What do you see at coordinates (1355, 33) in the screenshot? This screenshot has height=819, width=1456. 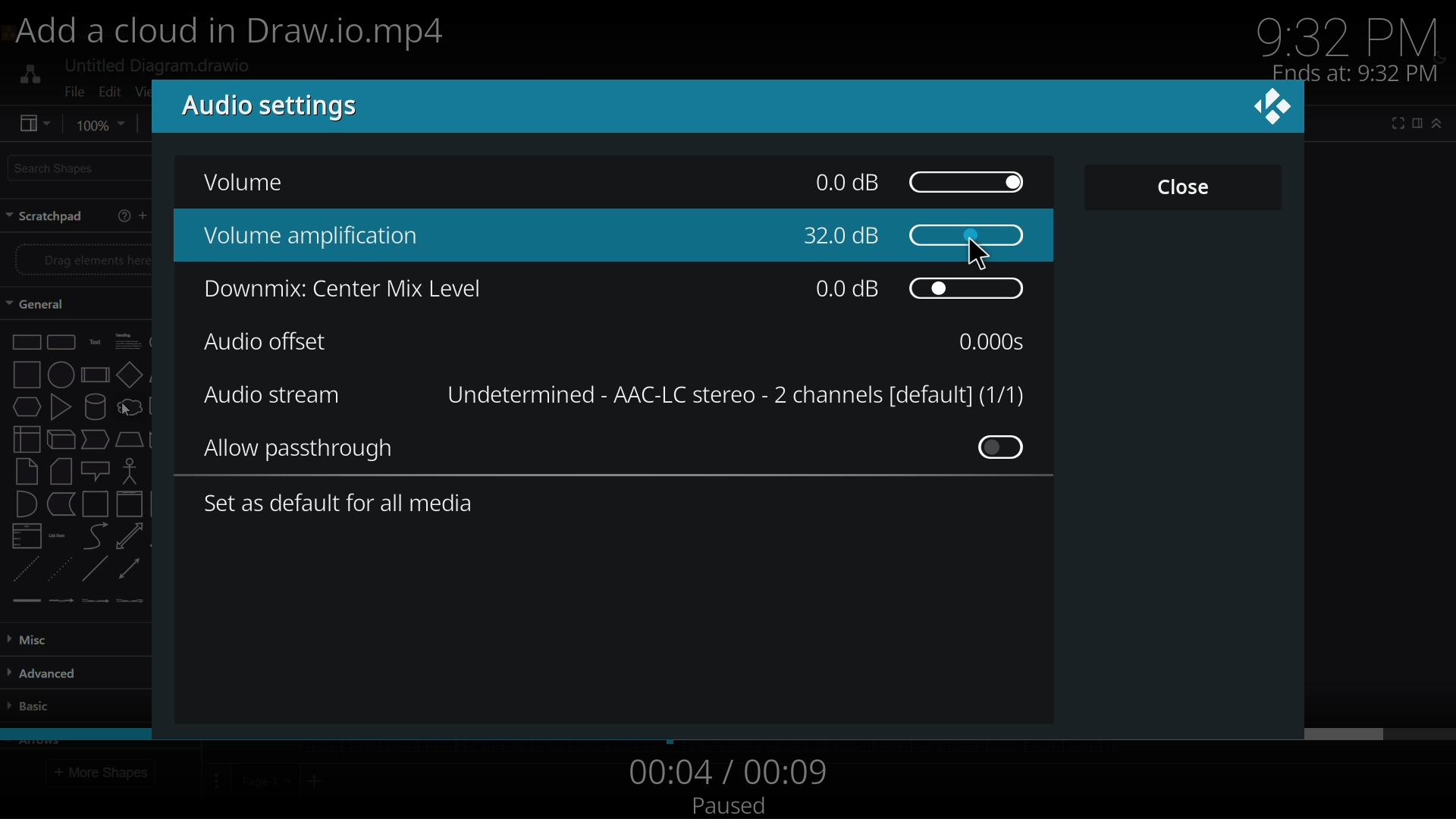 I see `9:32 PM` at bounding box center [1355, 33].